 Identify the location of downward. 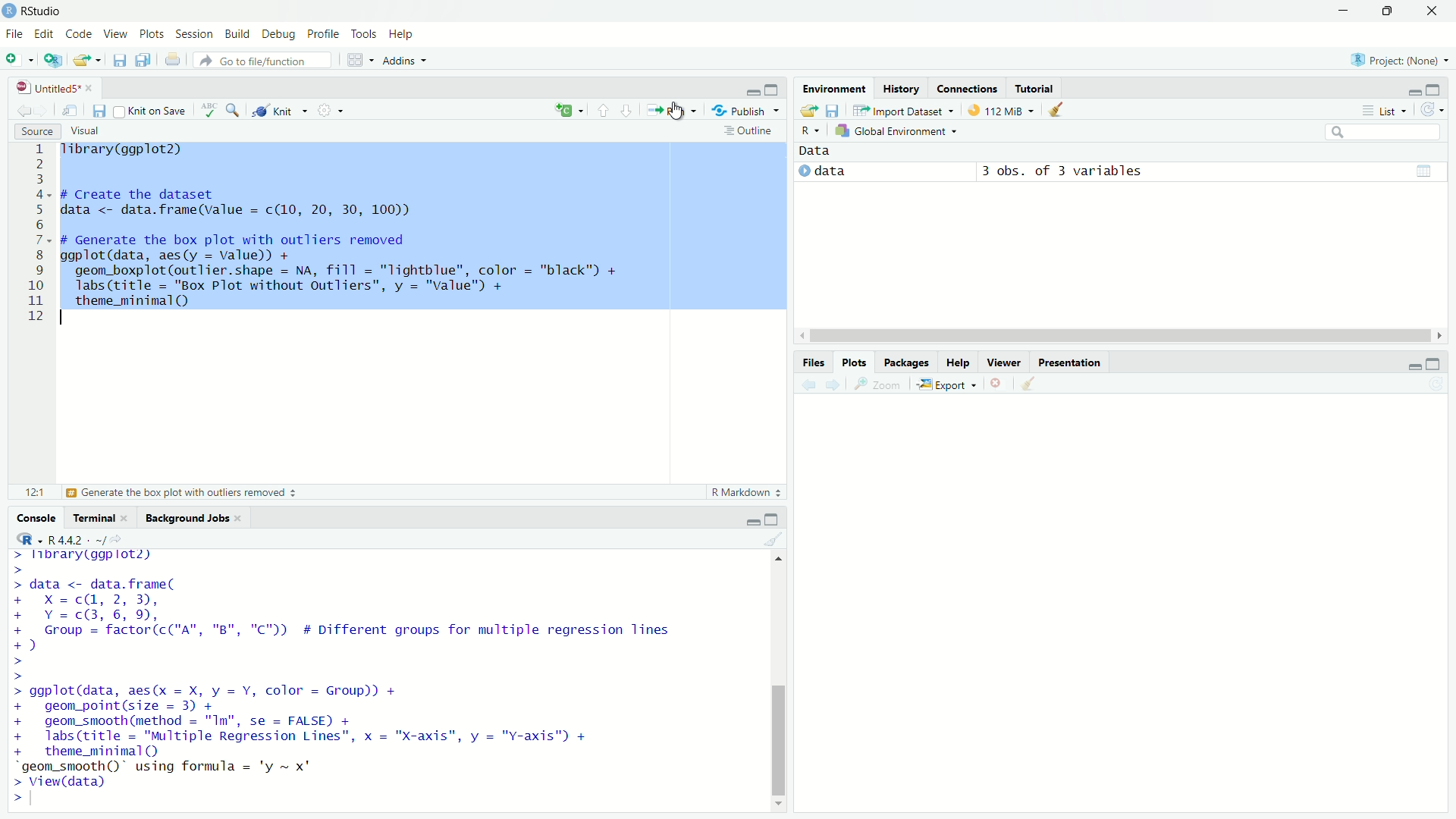
(631, 111).